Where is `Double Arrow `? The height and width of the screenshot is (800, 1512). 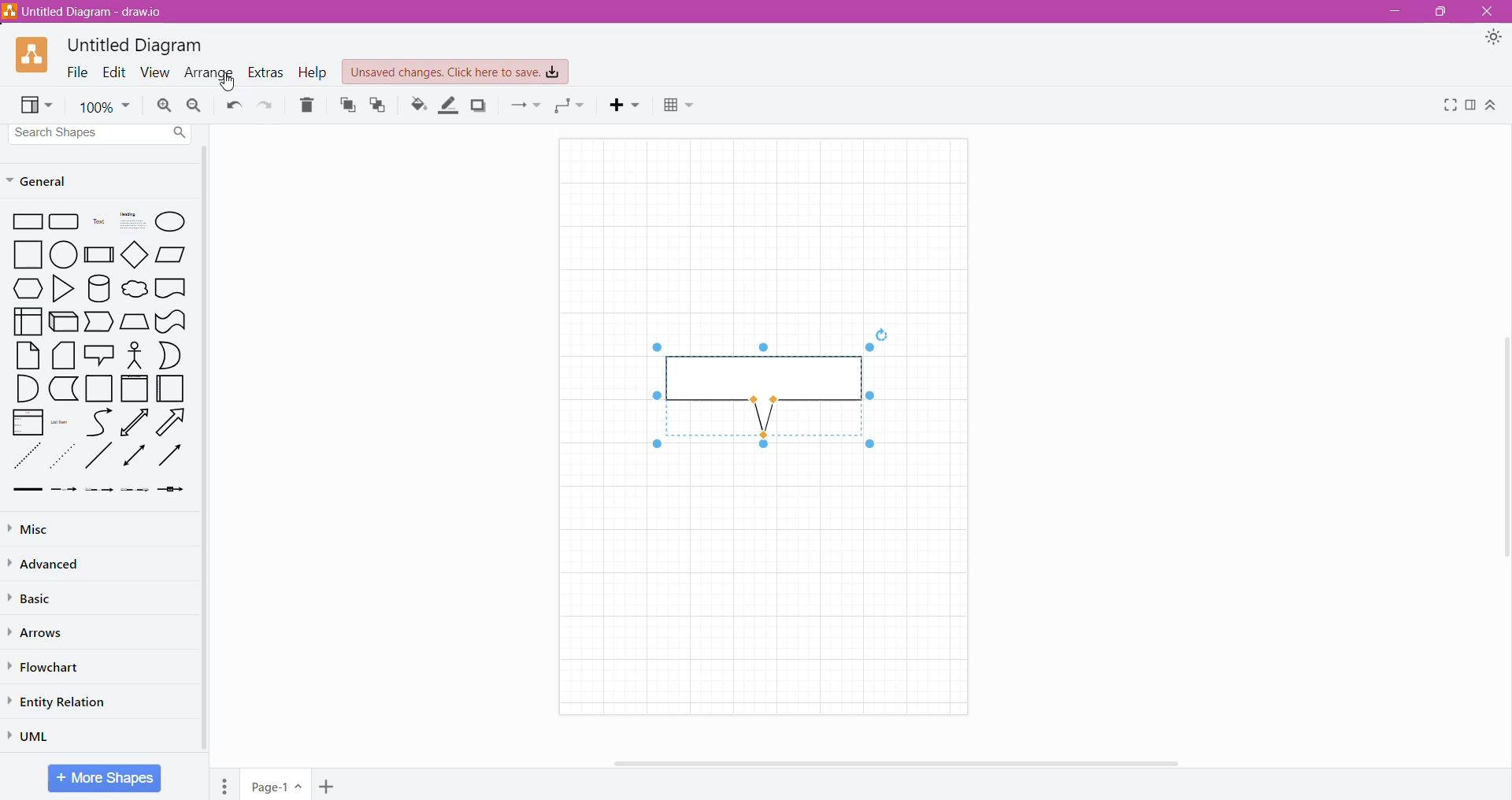
Double Arrow  is located at coordinates (135, 457).